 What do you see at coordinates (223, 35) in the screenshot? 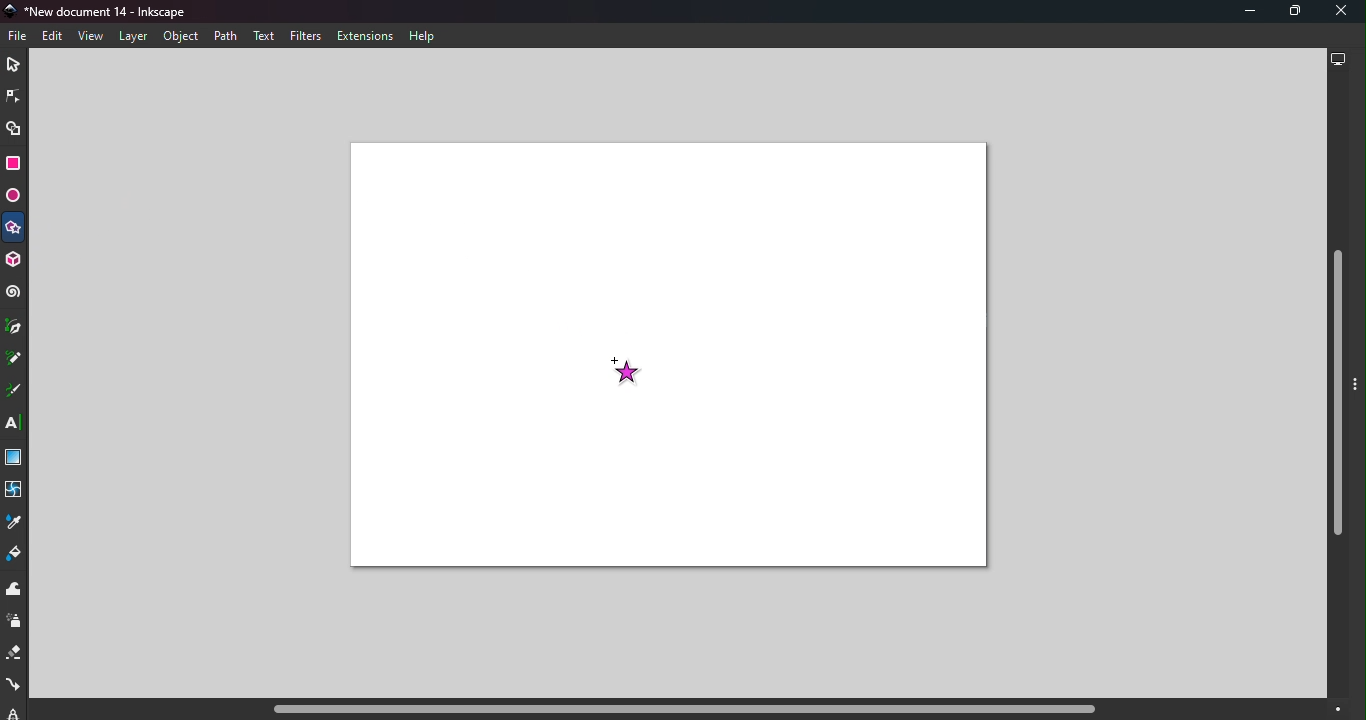
I see `Path` at bounding box center [223, 35].